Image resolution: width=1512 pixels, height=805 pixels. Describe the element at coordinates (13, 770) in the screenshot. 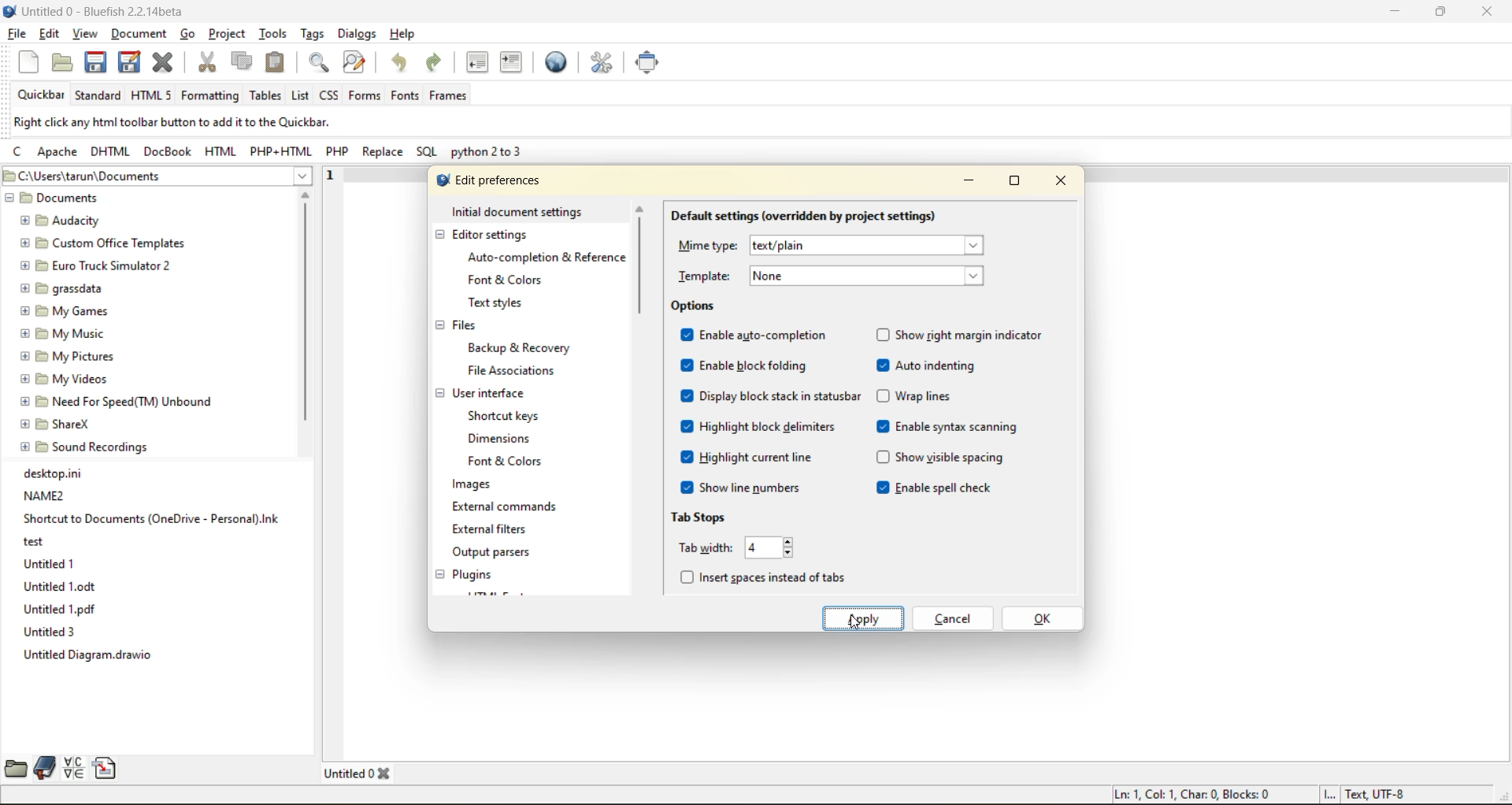

I see `file browser` at that location.